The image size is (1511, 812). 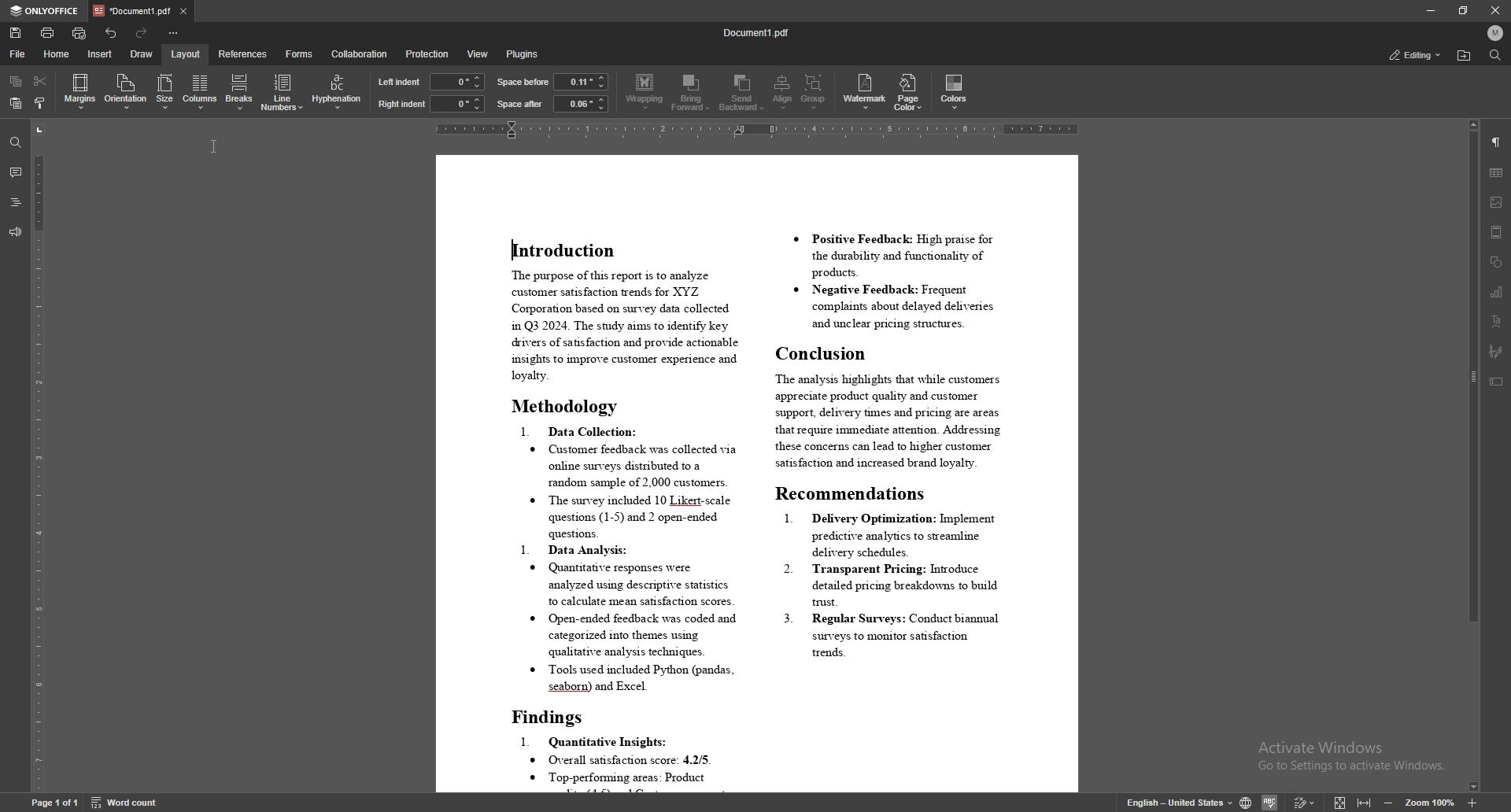 I want to click on fit to screen, so click(x=1339, y=802).